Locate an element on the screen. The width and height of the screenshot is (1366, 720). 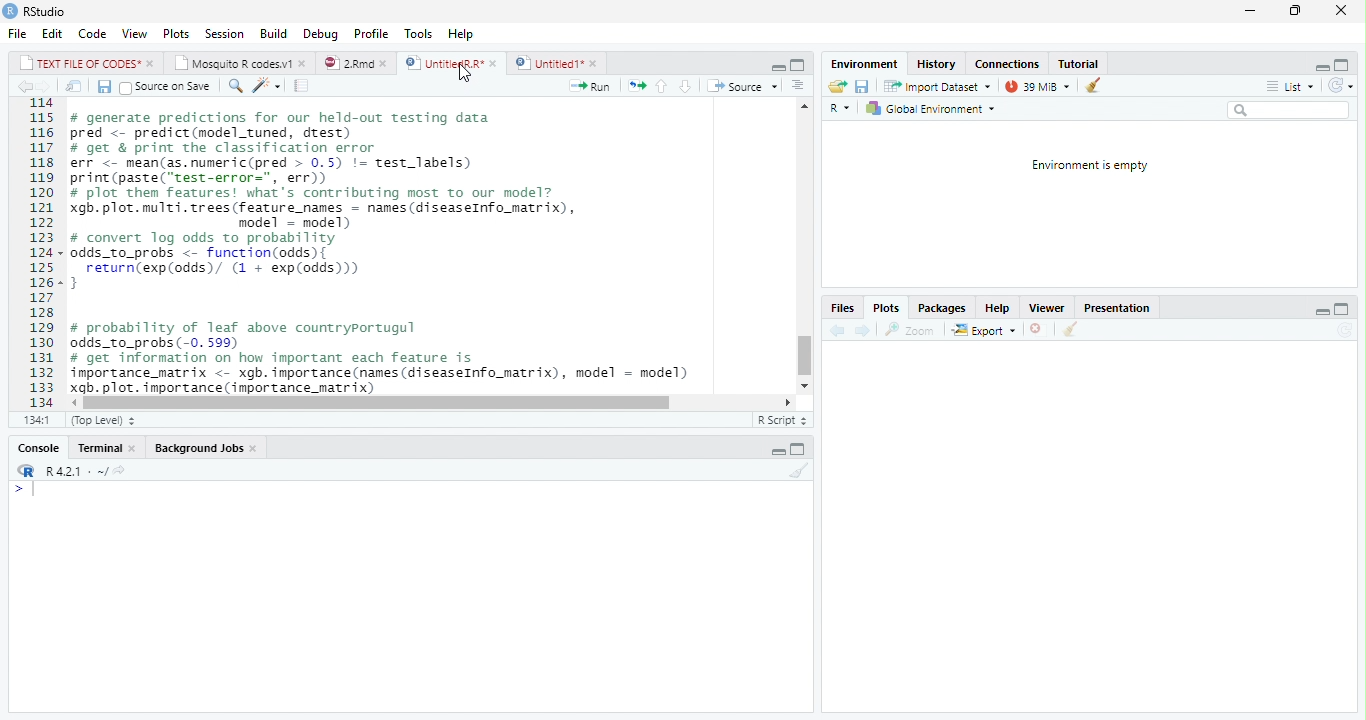
Clean is located at coordinates (795, 471).